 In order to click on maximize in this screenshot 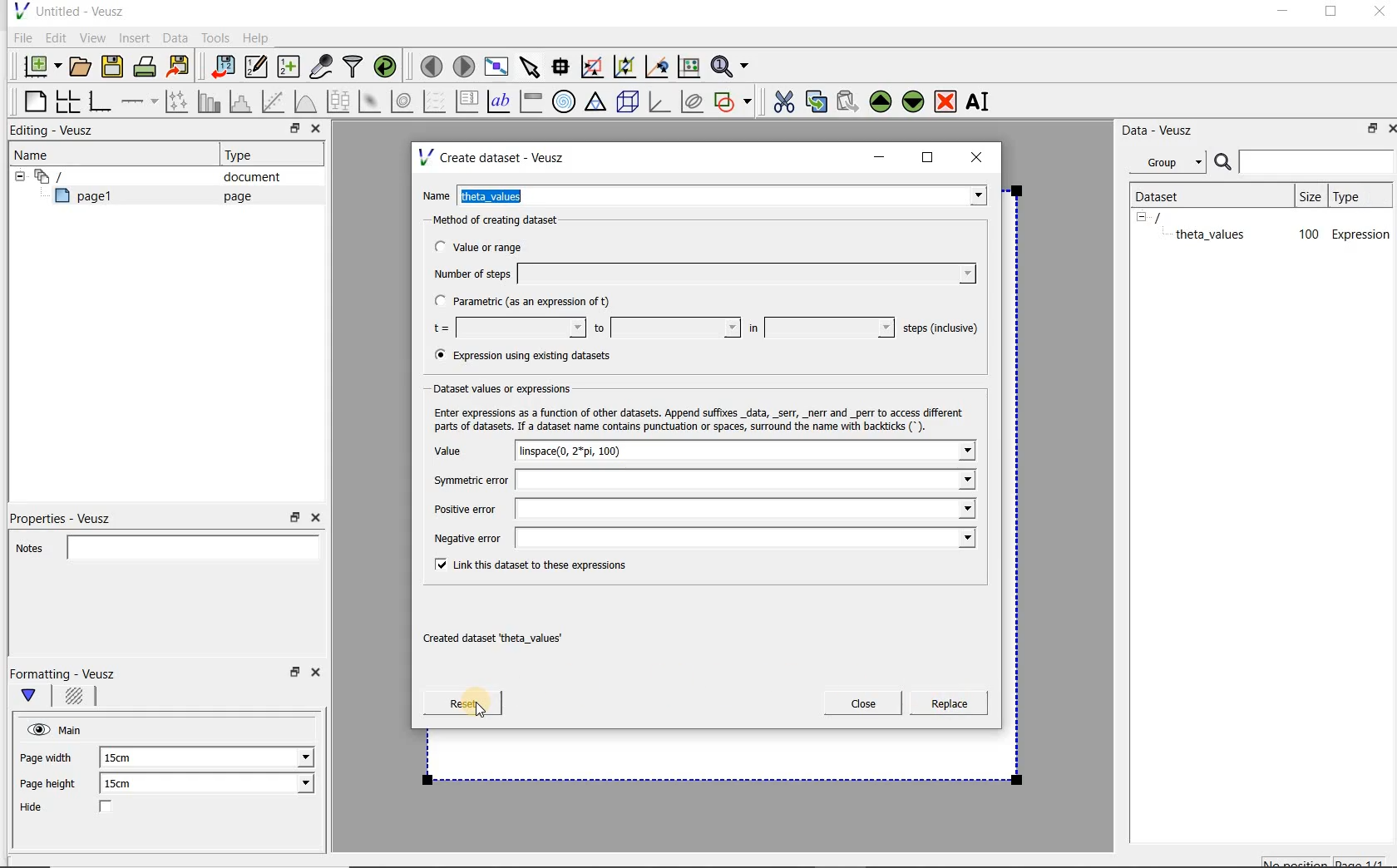, I will do `click(1331, 14)`.